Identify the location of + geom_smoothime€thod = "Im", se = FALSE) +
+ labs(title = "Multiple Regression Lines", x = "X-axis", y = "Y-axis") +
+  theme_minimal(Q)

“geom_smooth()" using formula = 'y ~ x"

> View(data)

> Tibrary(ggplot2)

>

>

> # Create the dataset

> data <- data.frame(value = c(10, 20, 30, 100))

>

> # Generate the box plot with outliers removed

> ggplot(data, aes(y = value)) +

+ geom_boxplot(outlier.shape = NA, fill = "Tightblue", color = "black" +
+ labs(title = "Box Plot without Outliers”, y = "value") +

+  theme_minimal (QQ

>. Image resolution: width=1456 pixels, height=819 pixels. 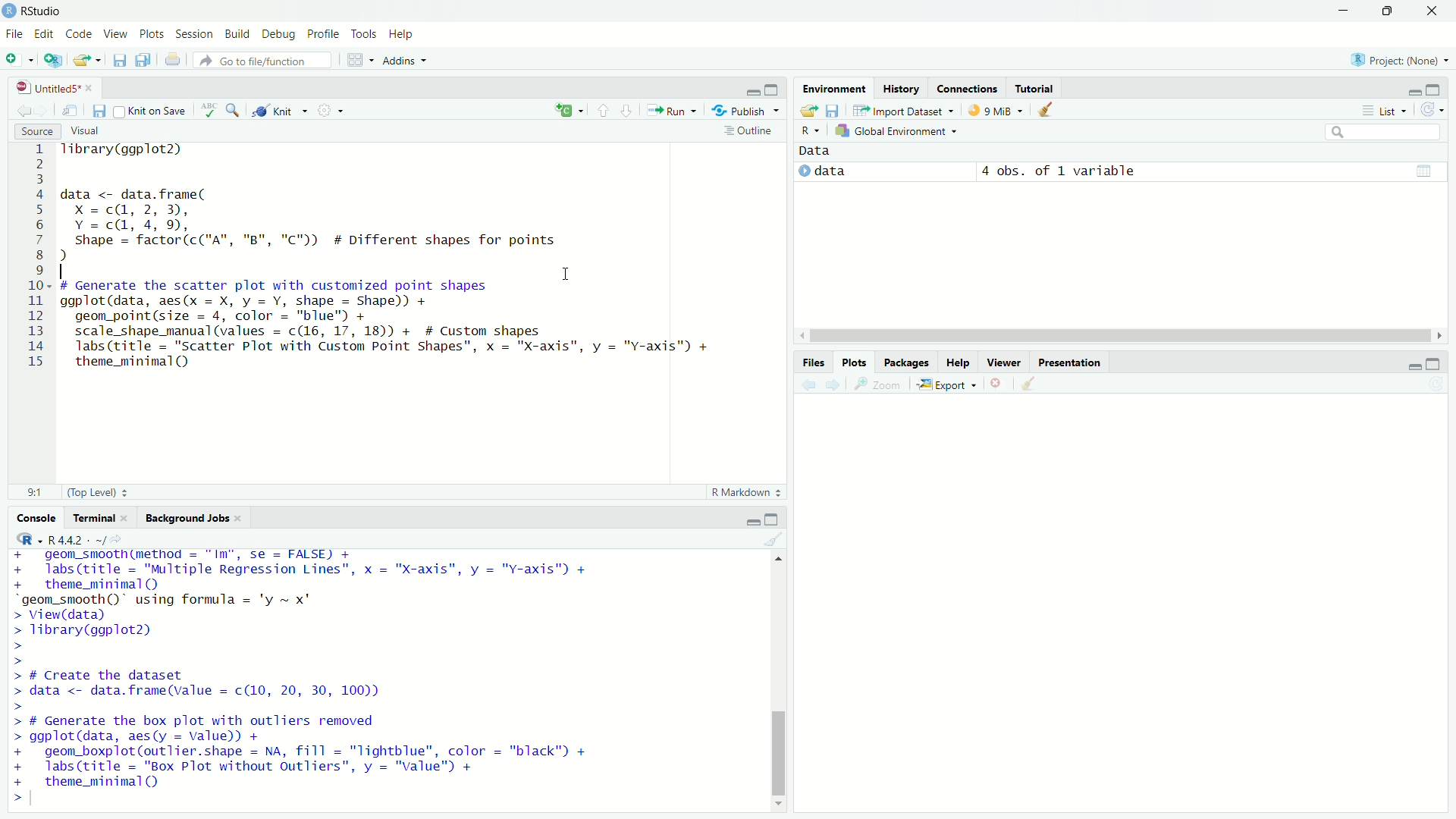
(308, 678).